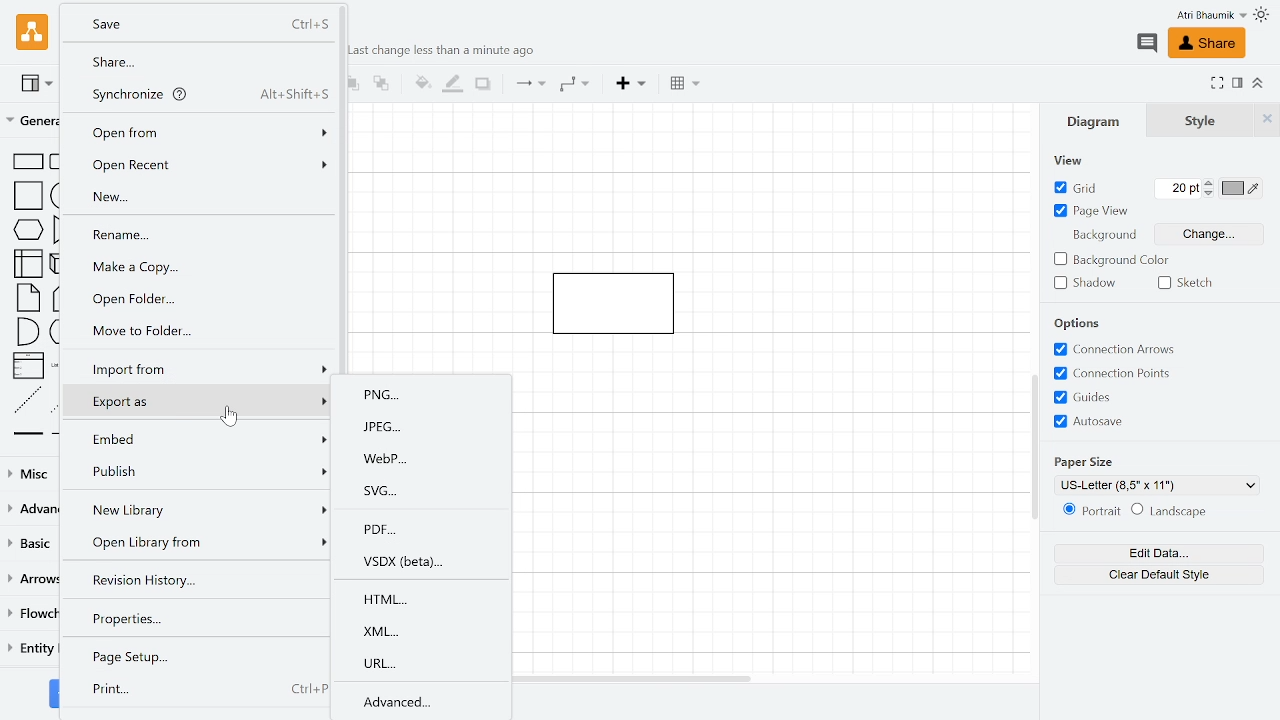 The width and height of the screenshot is (1280, 720). Describe the element at coordinates (527, 84) in the screenshot. I see `Connection` at that location.